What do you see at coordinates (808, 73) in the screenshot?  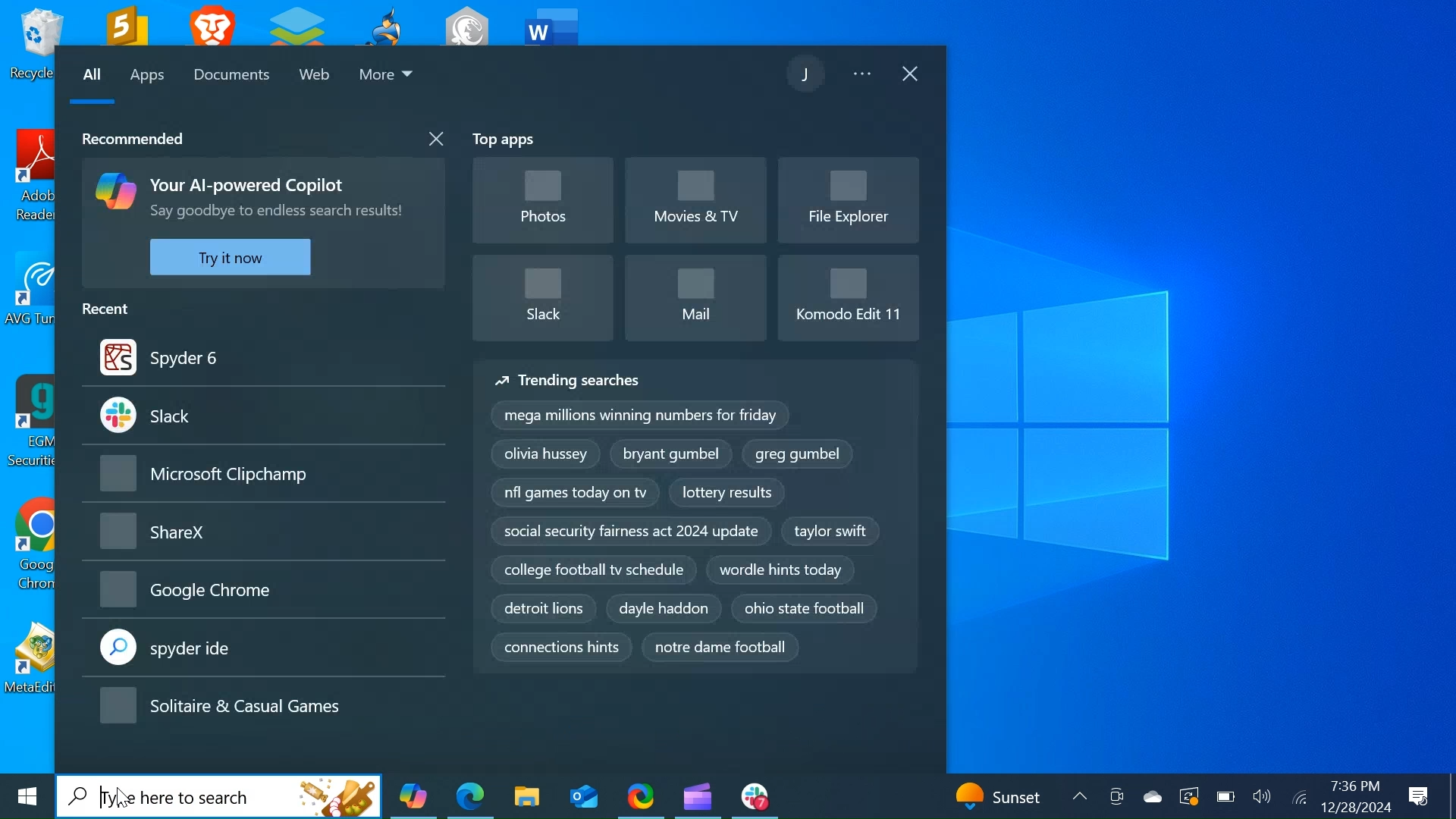 I see `Avatar` at bounding box center [808, 73].